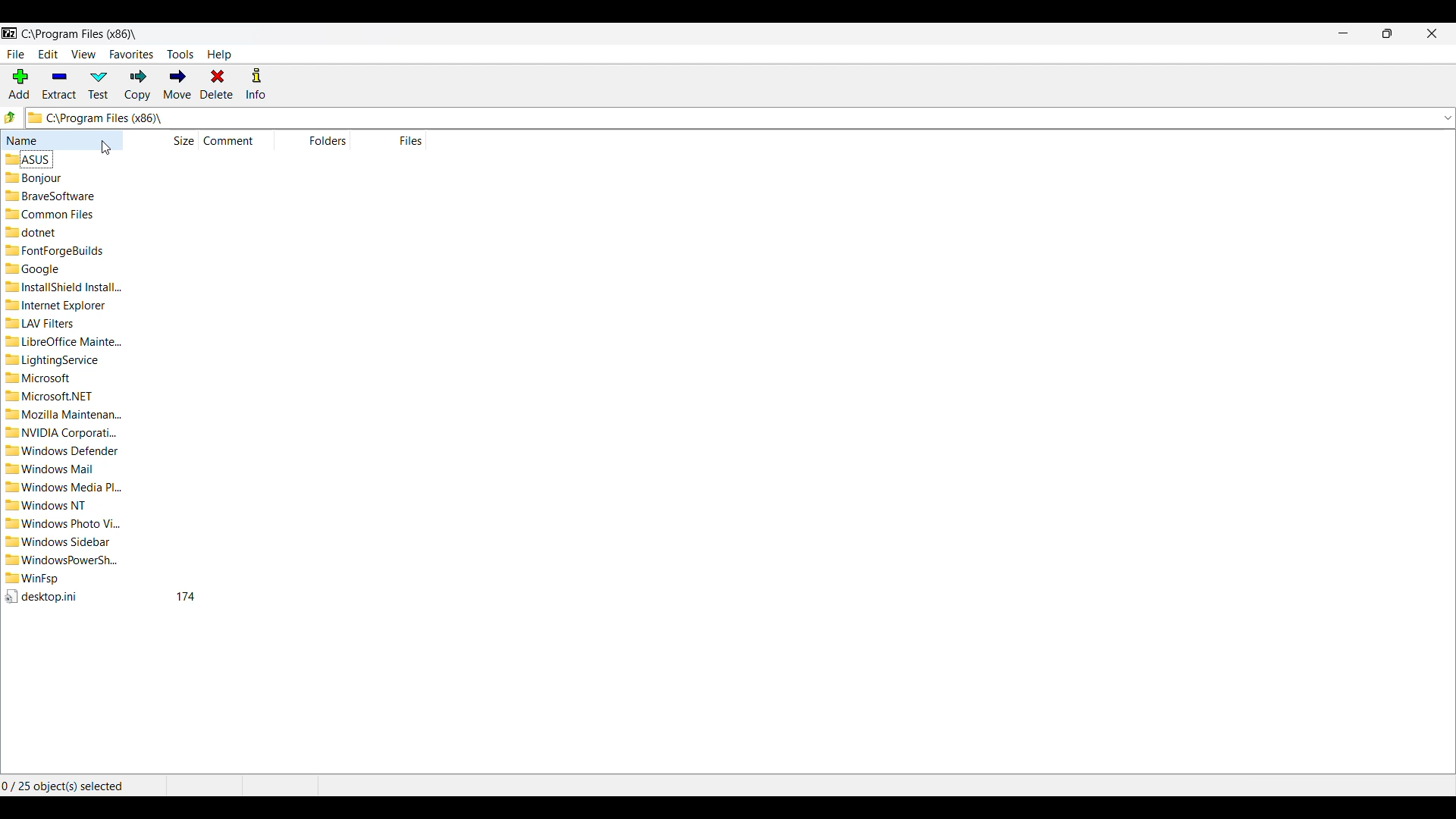 The width and height of the screenshot is (1456, 819). What do you see at coordinates (58, 249) in the screenshot?
I see `FontForgeBuilds` at bounding box center [58, 249].